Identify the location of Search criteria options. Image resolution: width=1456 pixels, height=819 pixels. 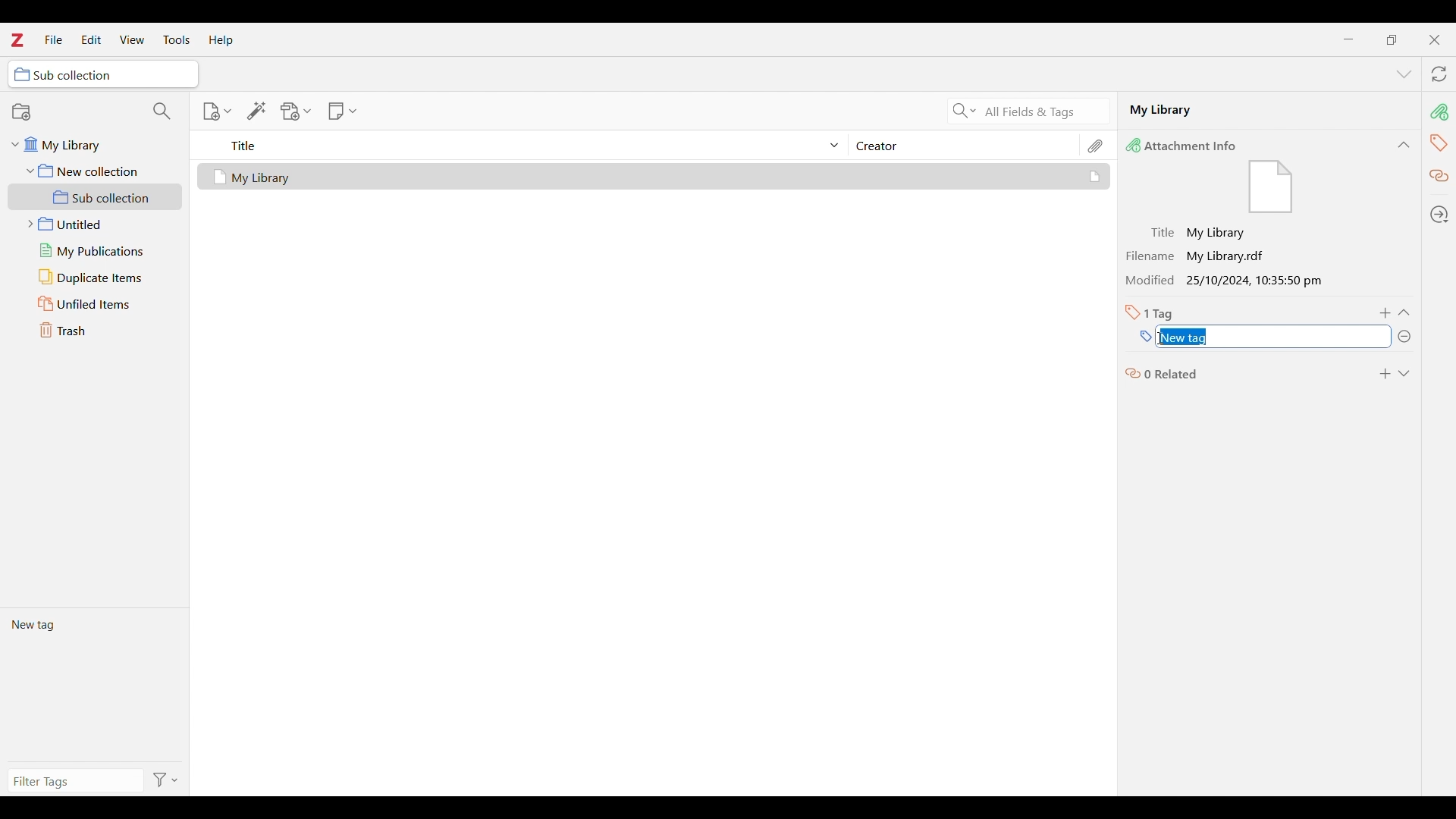
(965, 110).